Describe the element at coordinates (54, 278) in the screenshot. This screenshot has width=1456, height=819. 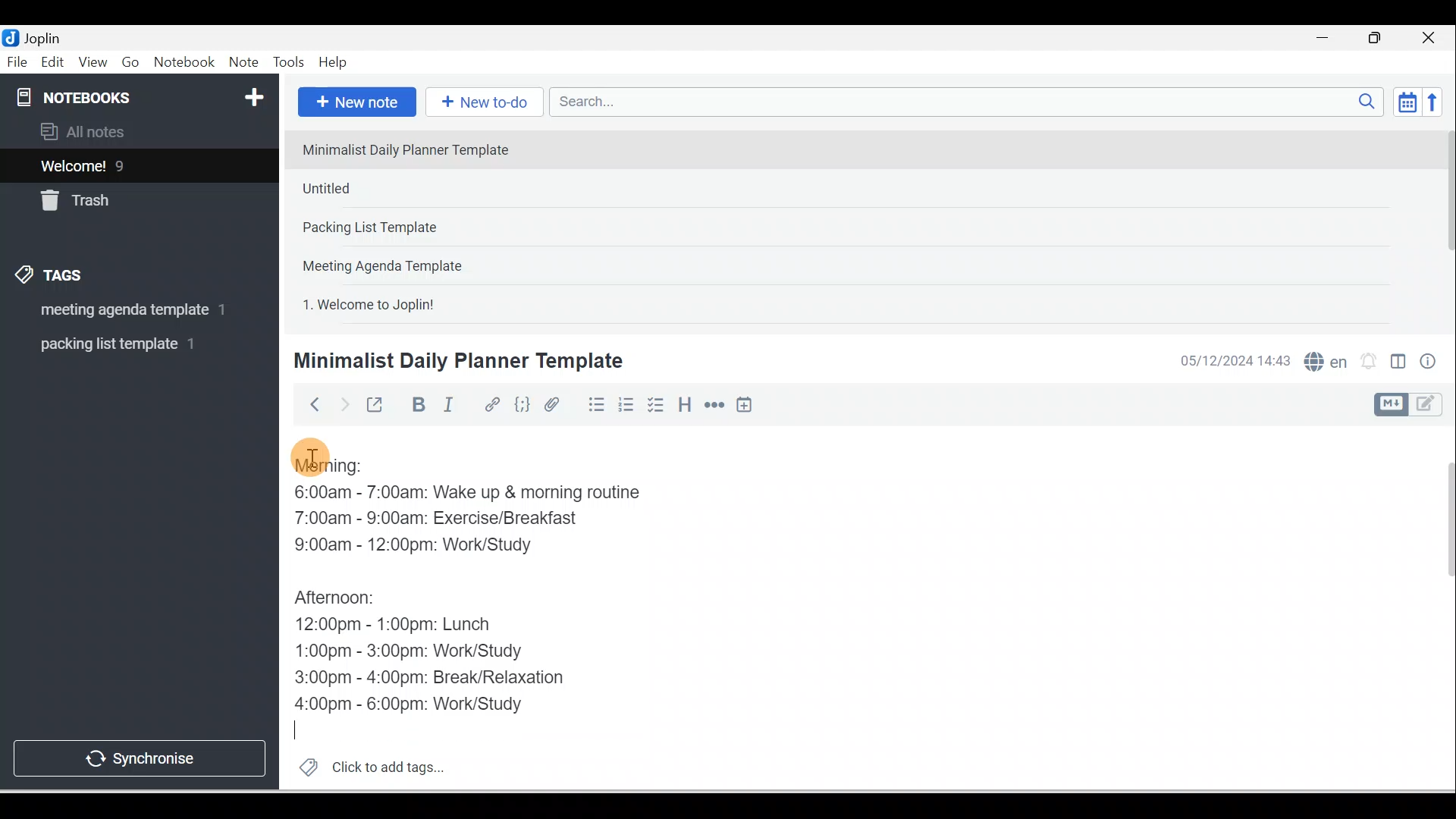
I see `Tags` at that location.